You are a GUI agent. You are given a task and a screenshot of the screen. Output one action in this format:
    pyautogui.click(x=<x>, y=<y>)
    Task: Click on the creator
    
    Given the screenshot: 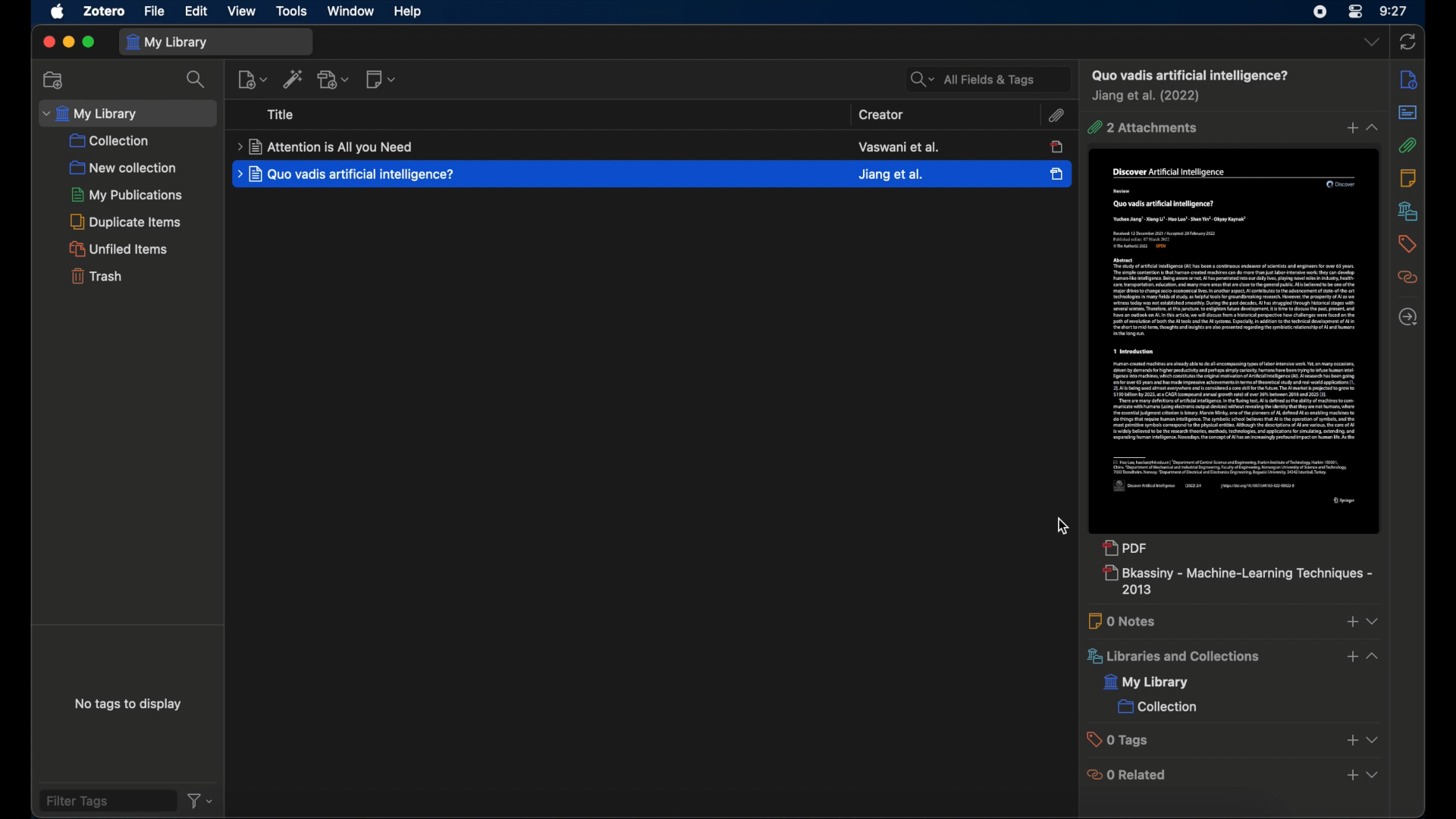 What is the action you would take?
    pyautogui.click(x=1148, y=97)
    